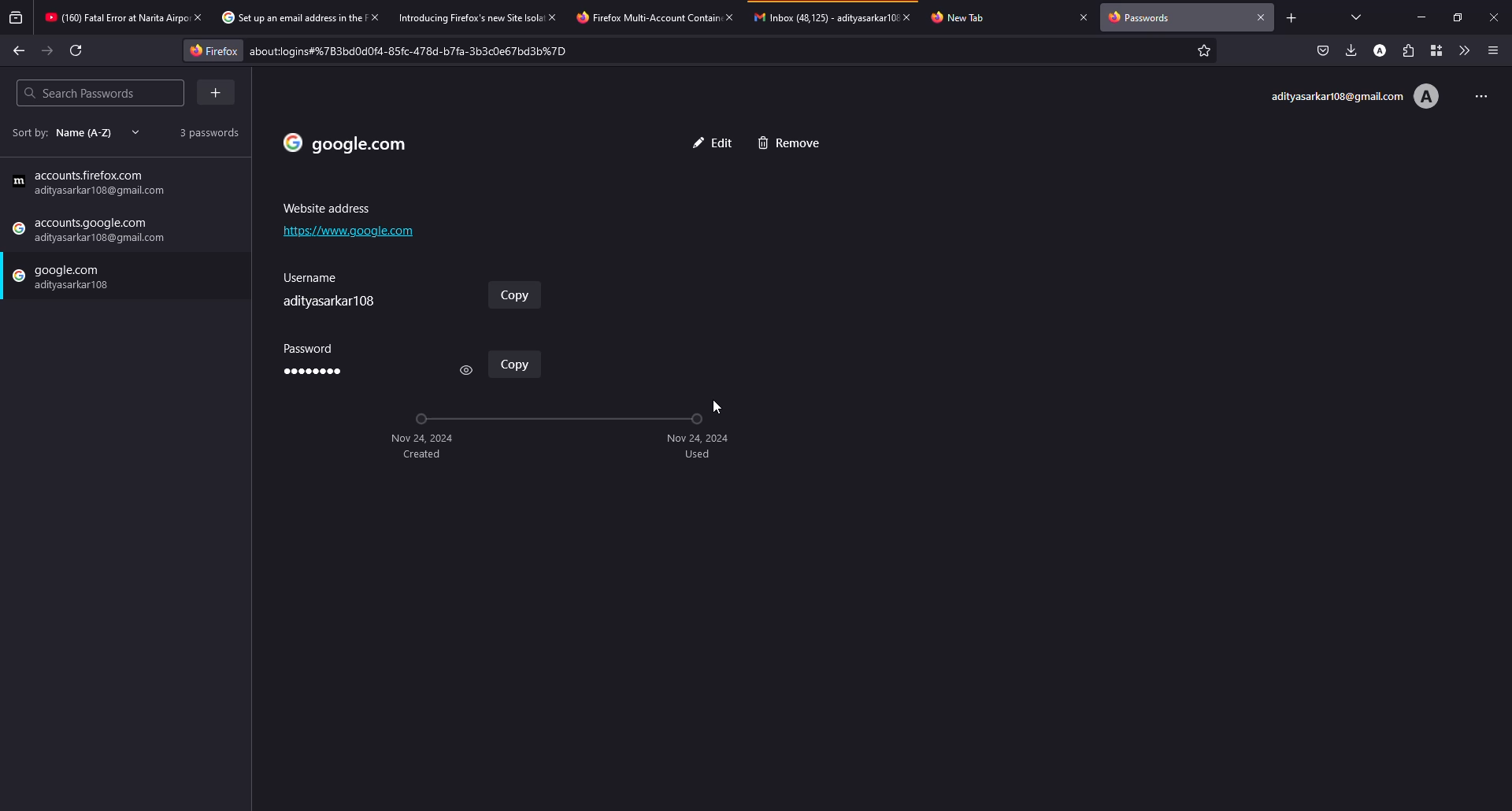 The height and width of the screenshot is (811, 1512). Describe the element at coordinates (17, 18) in the screenshot. I see `view recent` at that location.